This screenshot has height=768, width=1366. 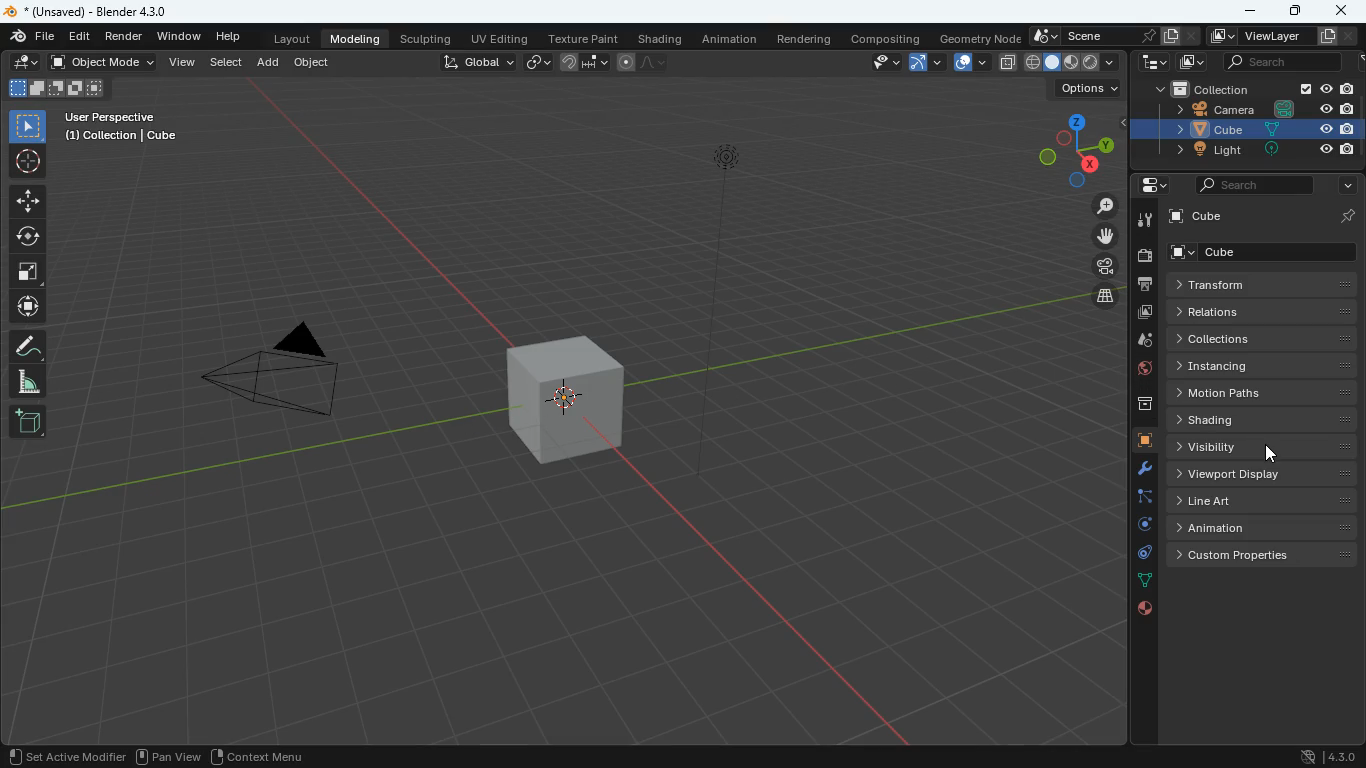 What do you see at coordinates (1138, 343) in the screenshot?
I see `drop` at bounding box center [1138, 343].